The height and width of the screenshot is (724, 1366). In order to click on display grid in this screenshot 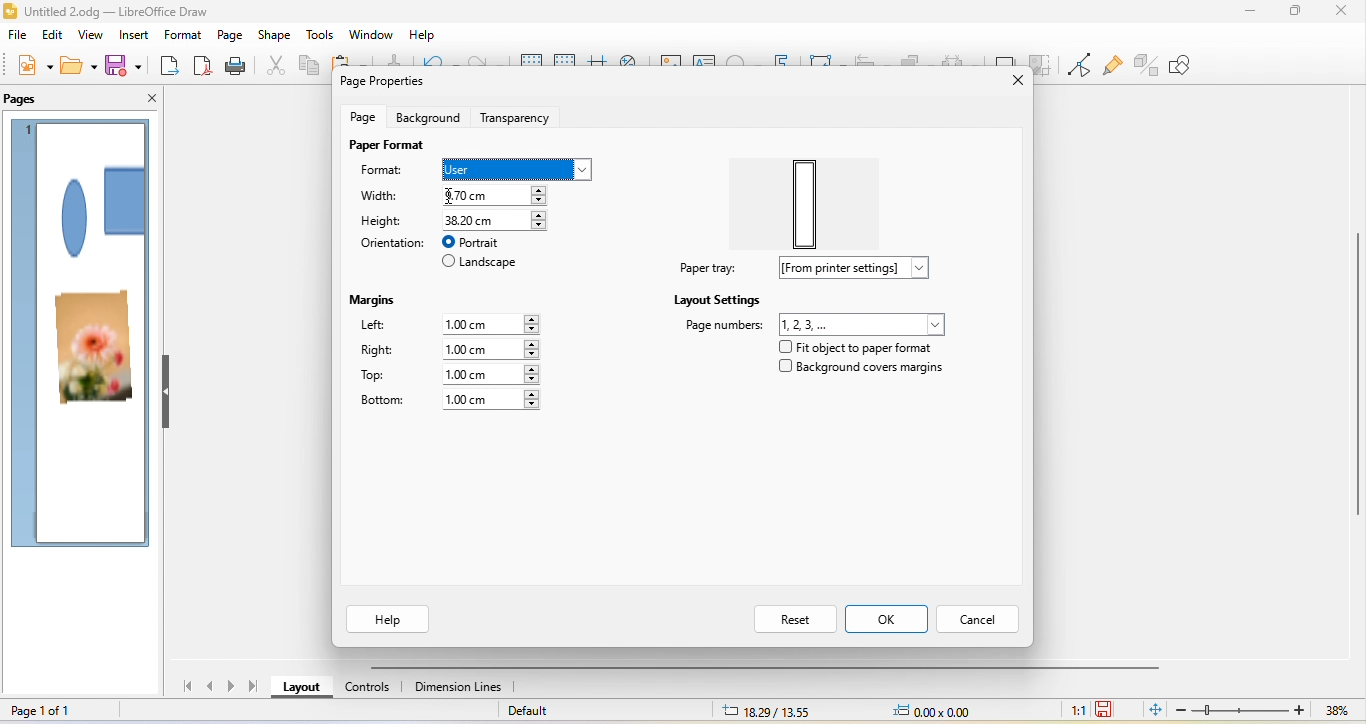, I will do `click(528, 63)`.